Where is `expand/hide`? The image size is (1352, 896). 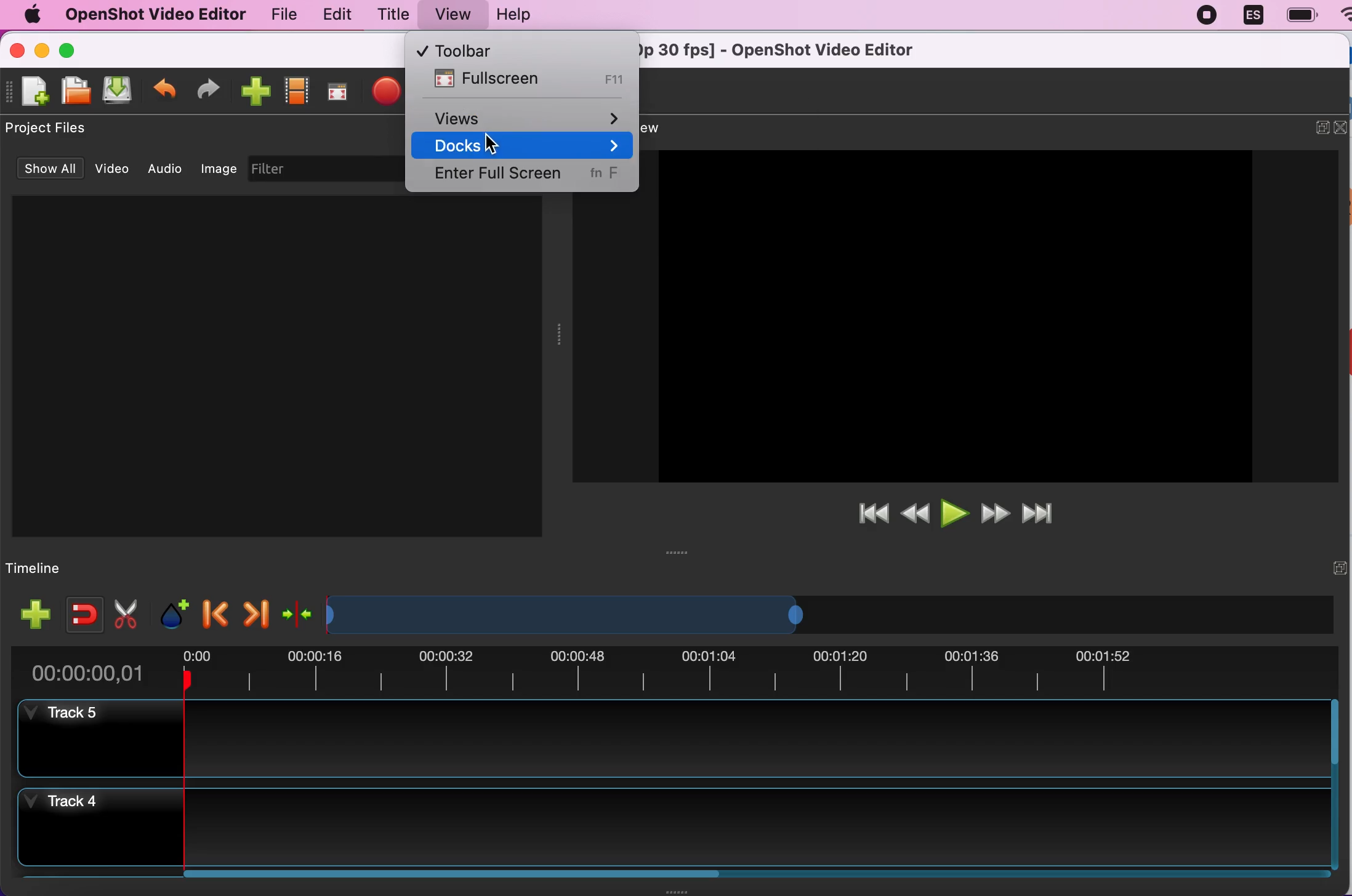
expand/hide is located at coordinates (1338, 567).